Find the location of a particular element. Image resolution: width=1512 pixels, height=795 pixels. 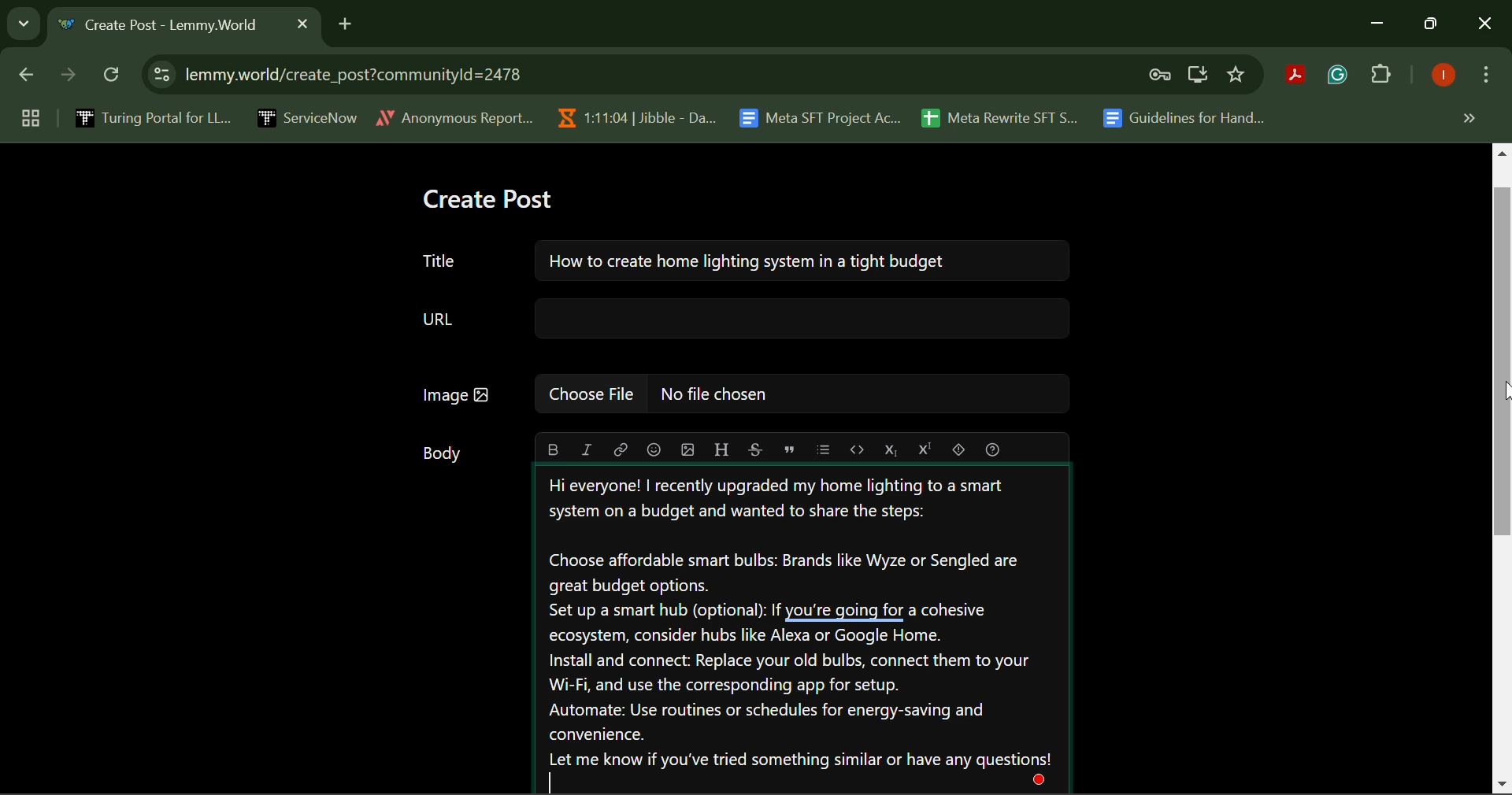

Create Post Heading  is located at coordinates (487, 201).